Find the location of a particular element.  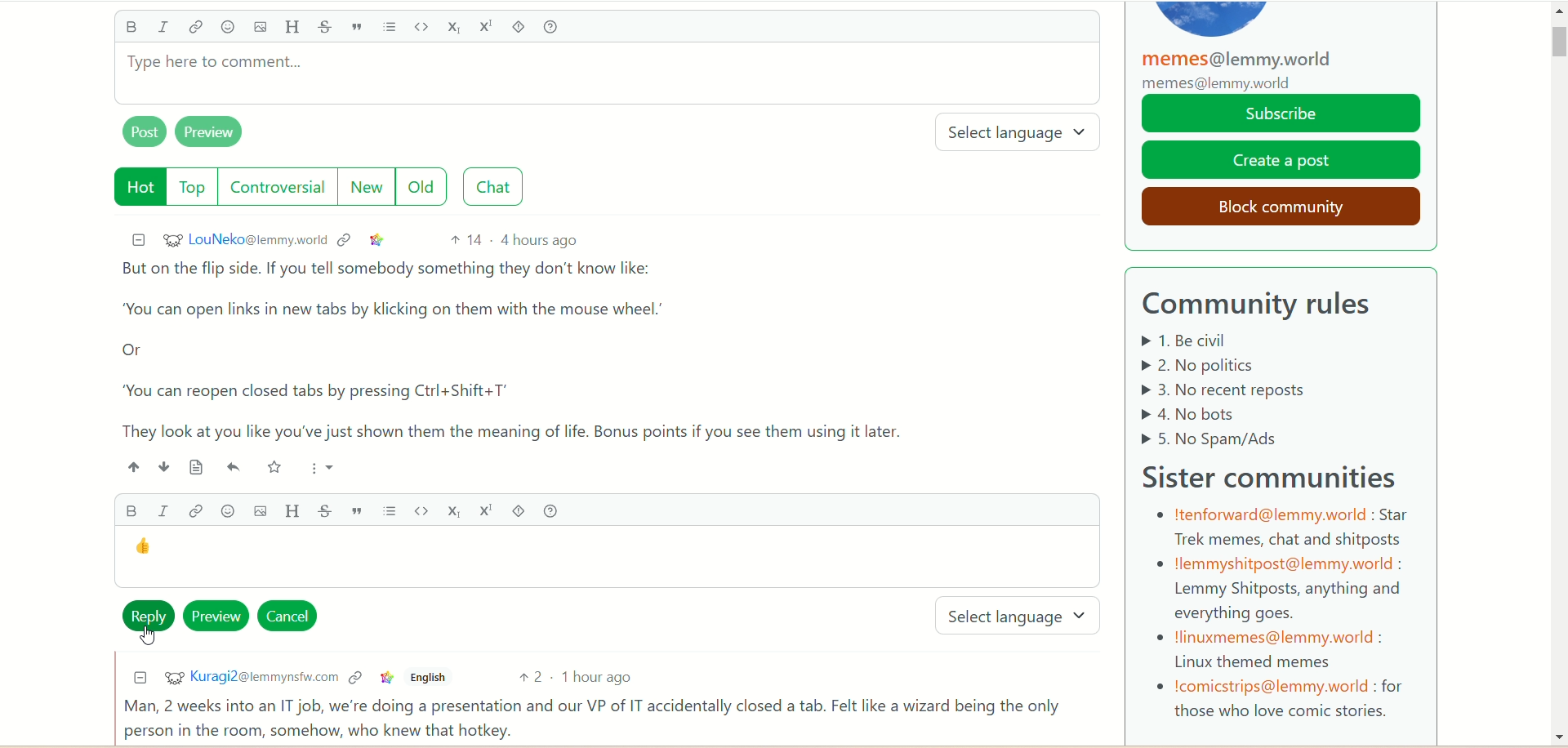

memes@lemmy.world is located at coordinates (1243, 70).